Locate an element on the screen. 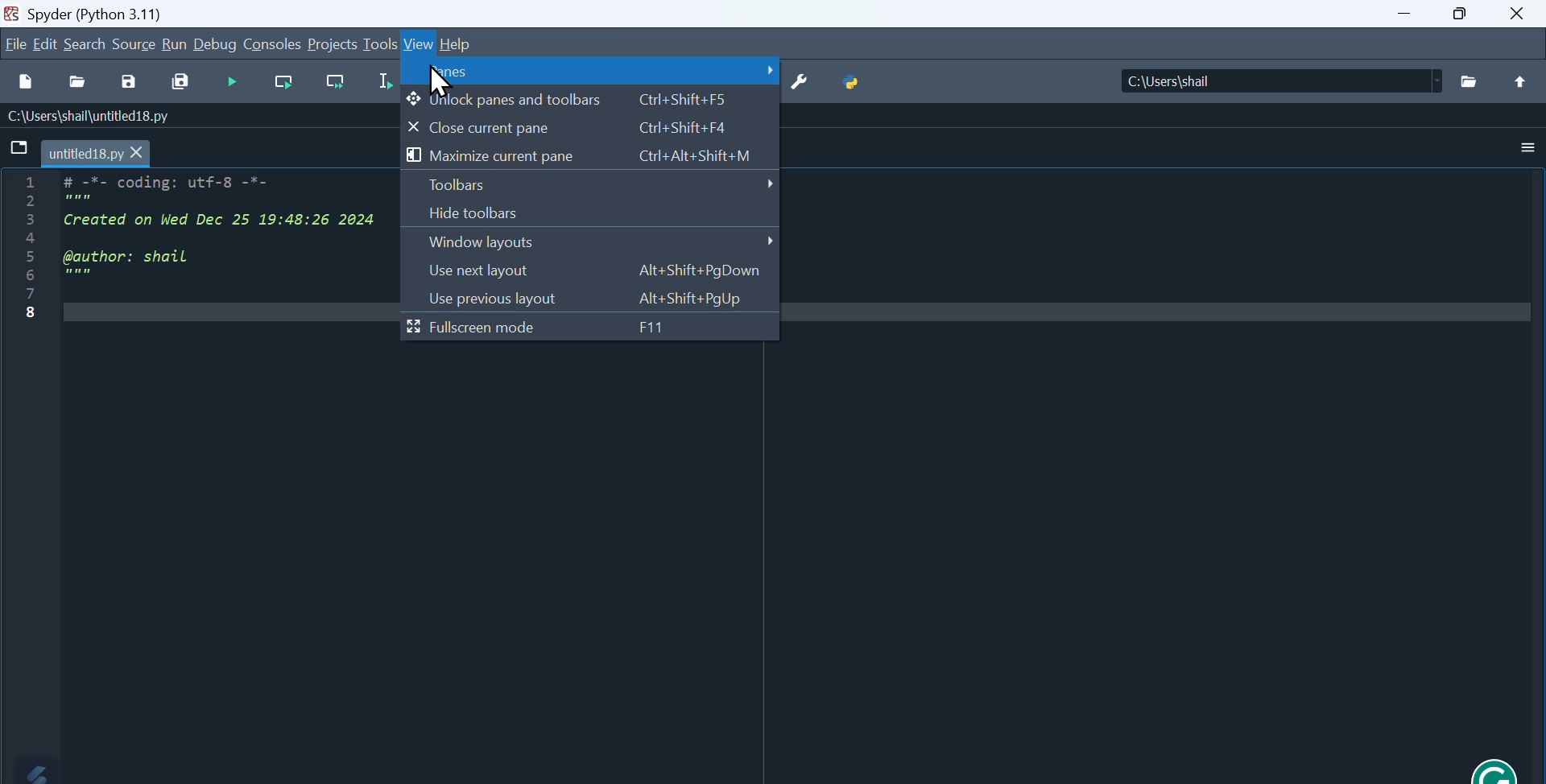 This screenshot has width=1546, height=784. C:\Users\shail\untitled18.py is located at coordinates (91, 117).